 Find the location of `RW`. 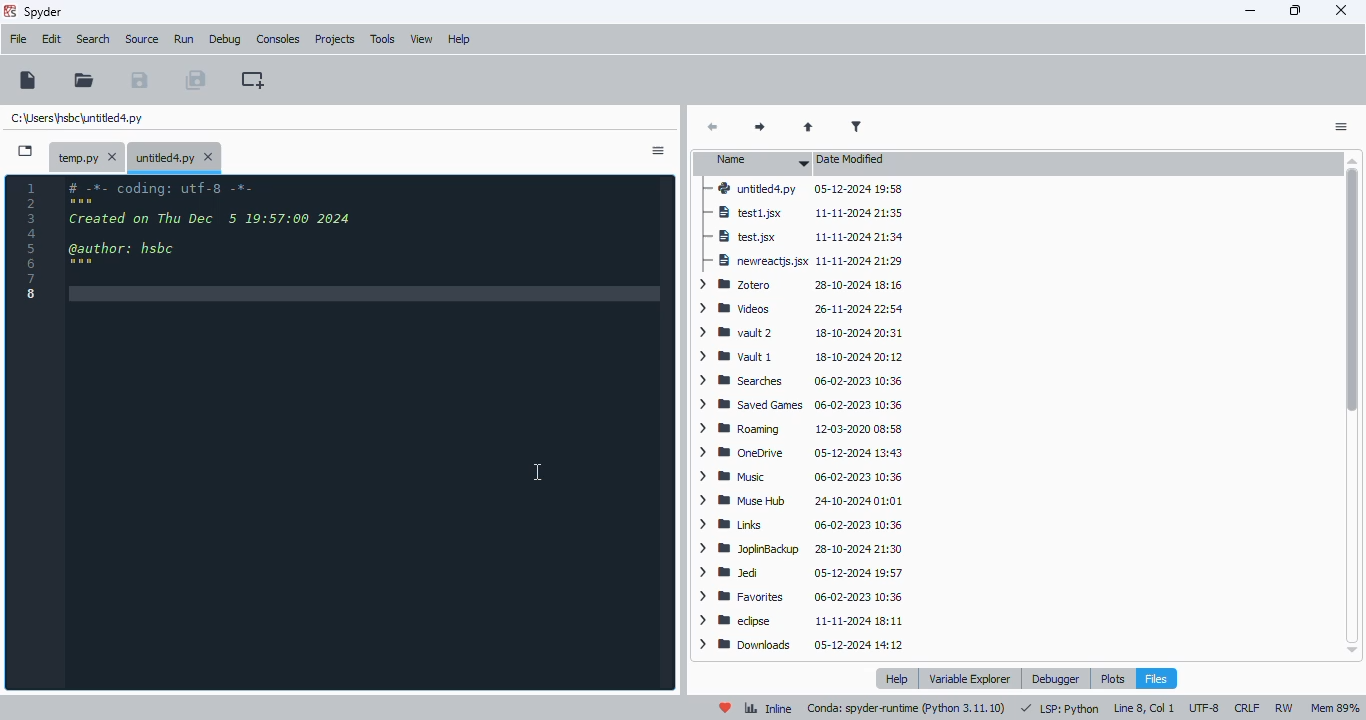

RW is located at coordinates (1284, 708).